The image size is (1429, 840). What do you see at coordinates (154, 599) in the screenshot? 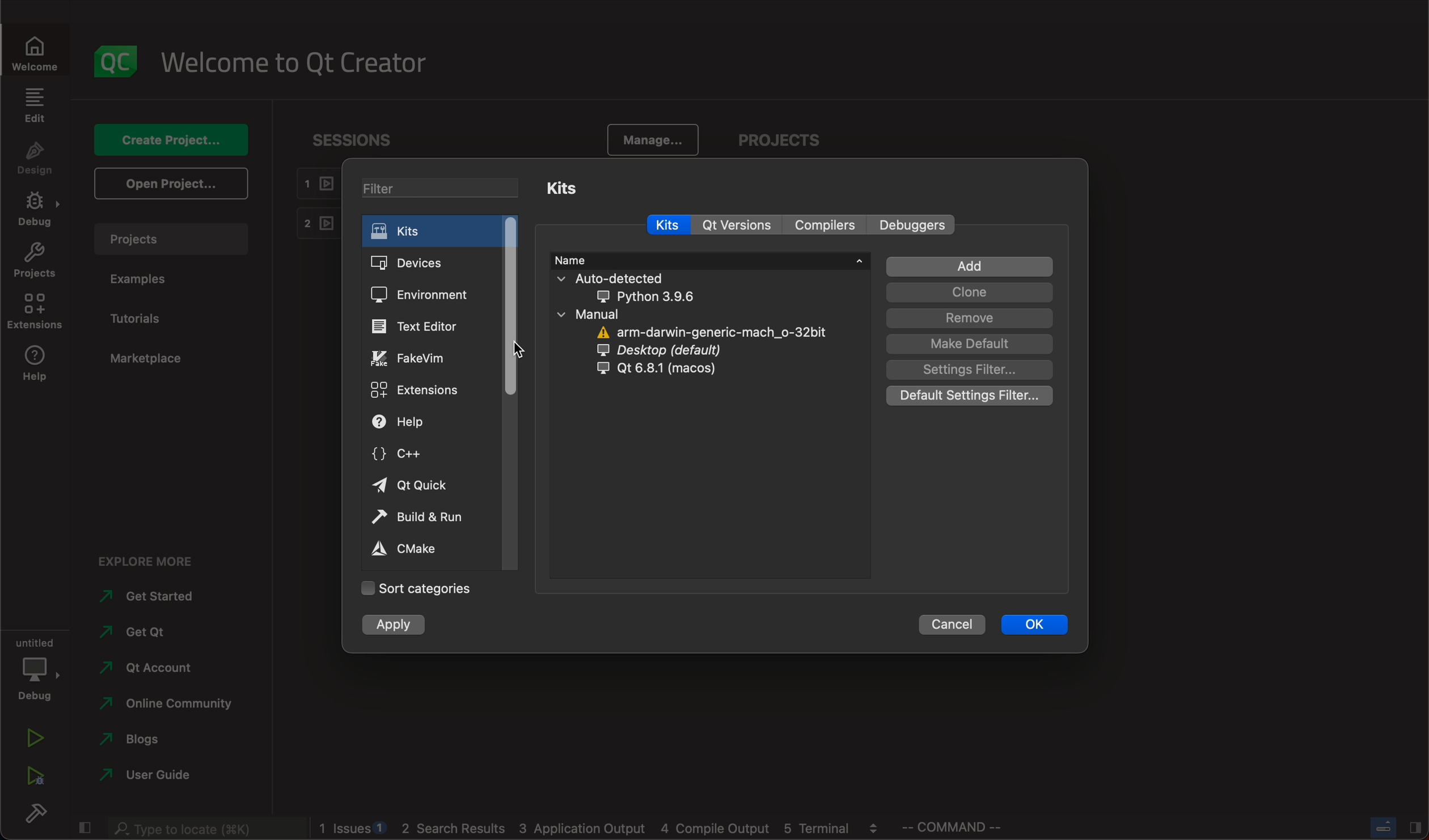
I see `started` at bounding box center [154, 599].